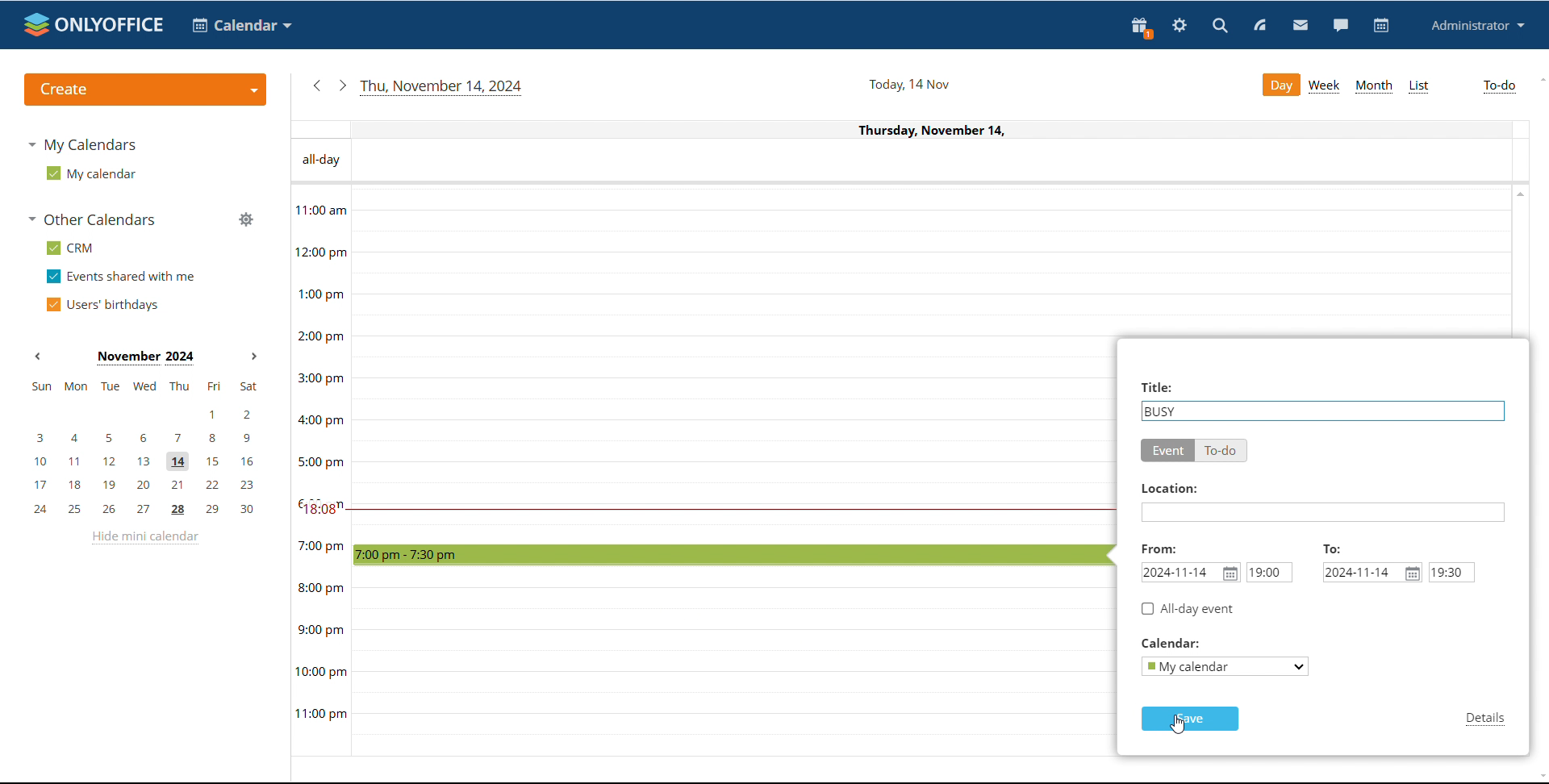 The height and width of the screenshot is (784, 1549). Describe the element at coordinates (1476, 26) in the screenshot. I see `profile` at that location.